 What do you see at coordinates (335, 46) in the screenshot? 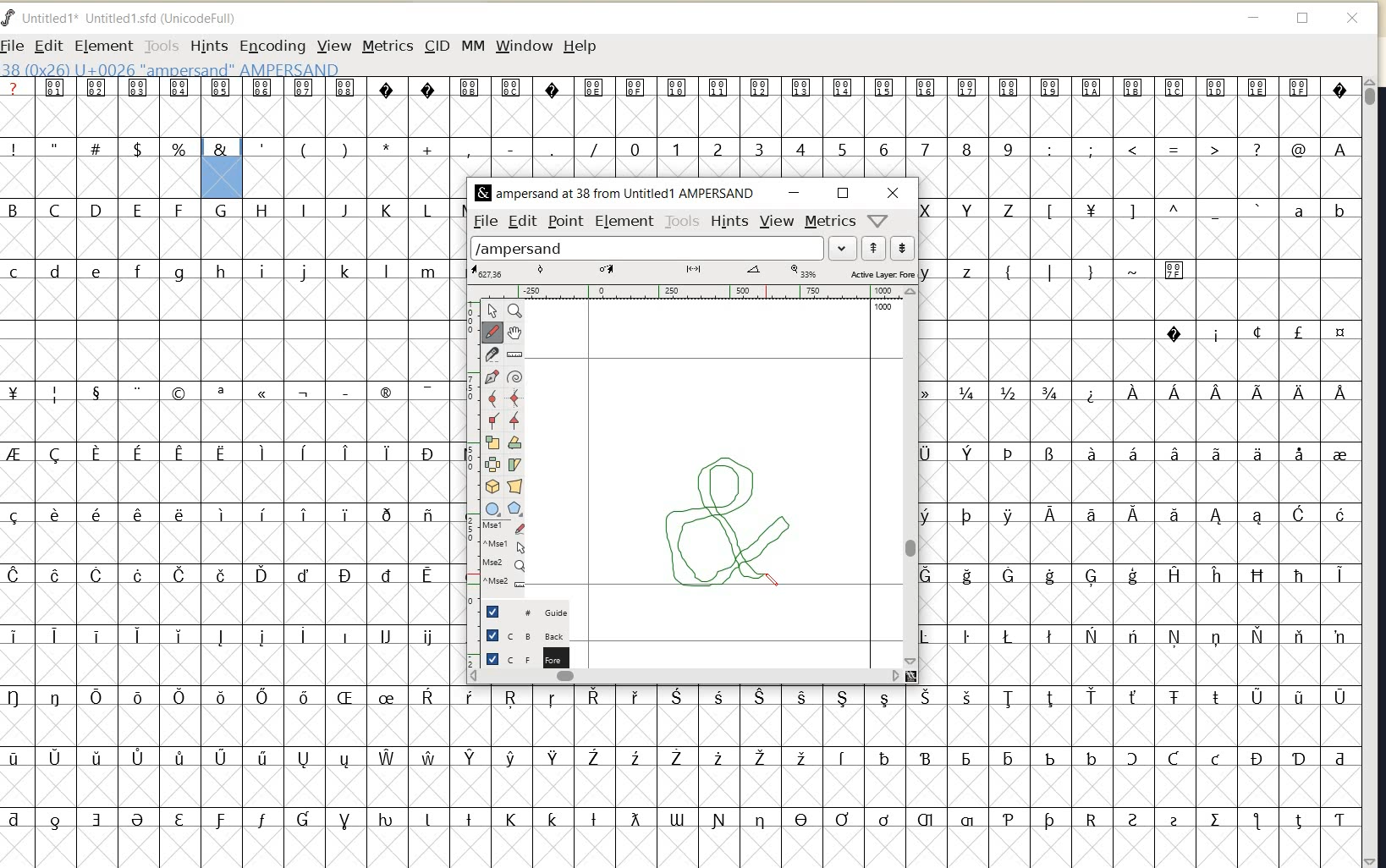
I see `VIEW` at bounding box center [335, 46].